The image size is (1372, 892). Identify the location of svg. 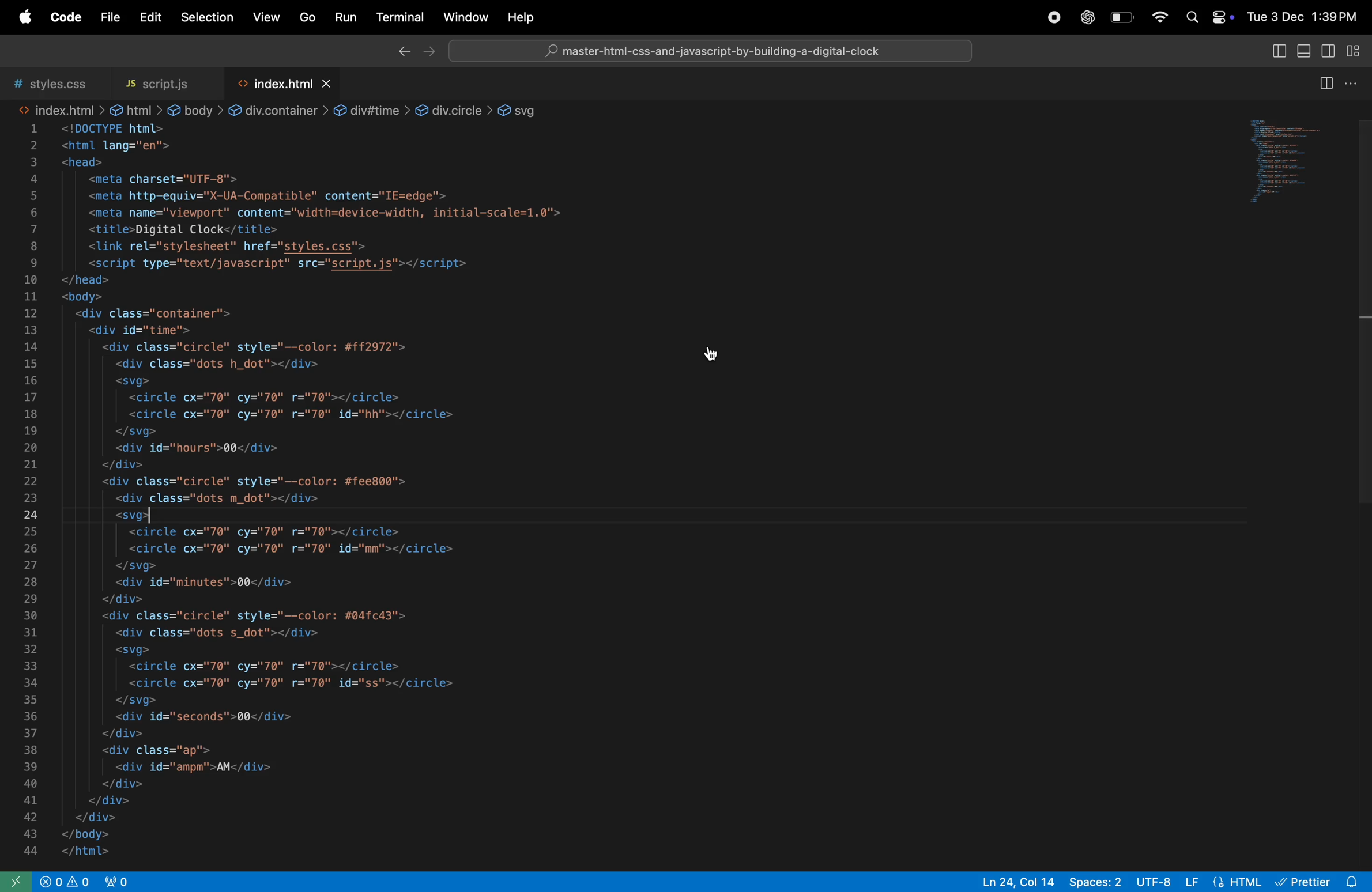
(523, 109).